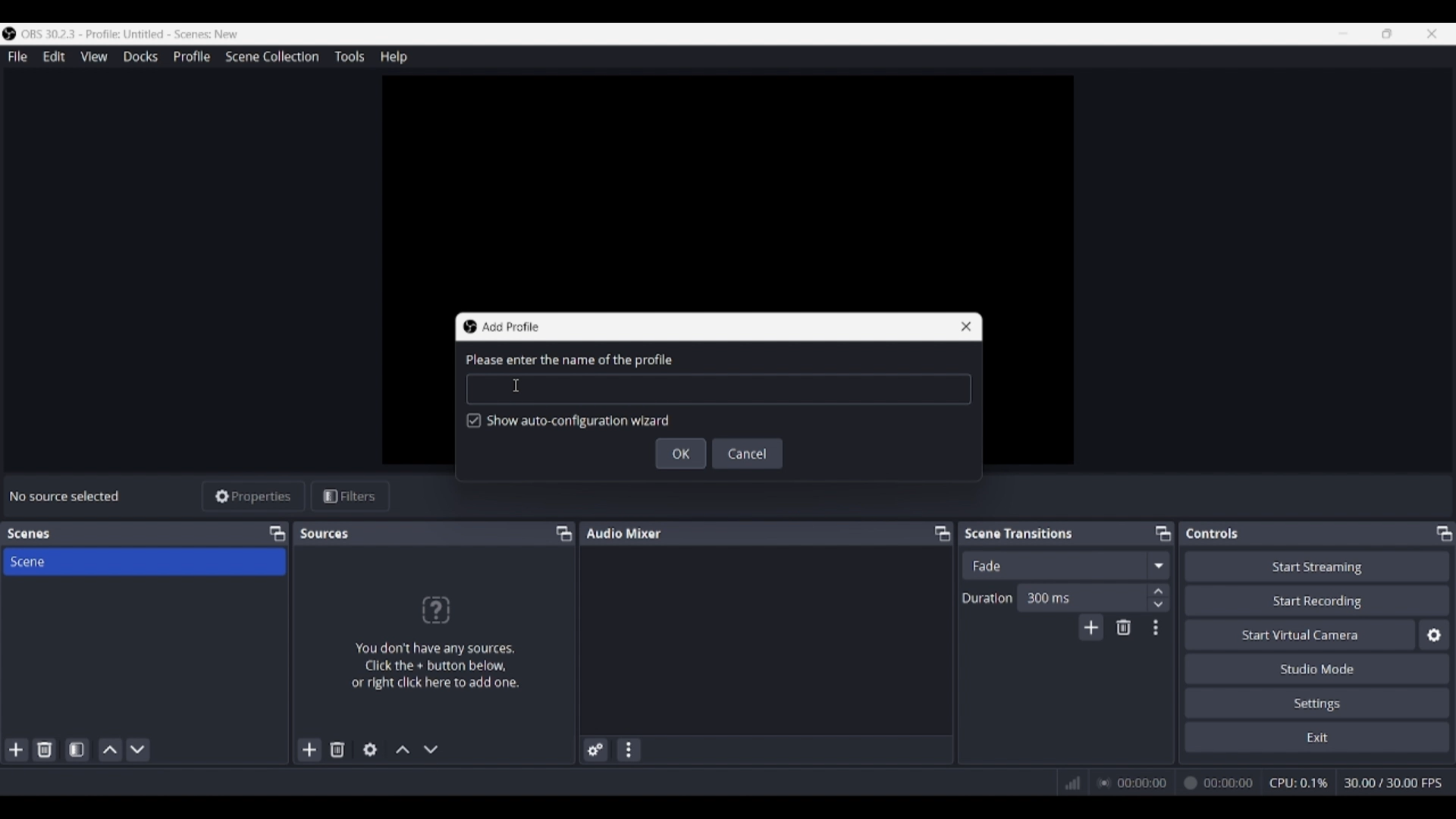 The height and width of the screenshot is (819, 1456). What do you see at coordinates (987, 598) in the screenshot?
I see `Indicates duration` at bounding box center [987, 598].